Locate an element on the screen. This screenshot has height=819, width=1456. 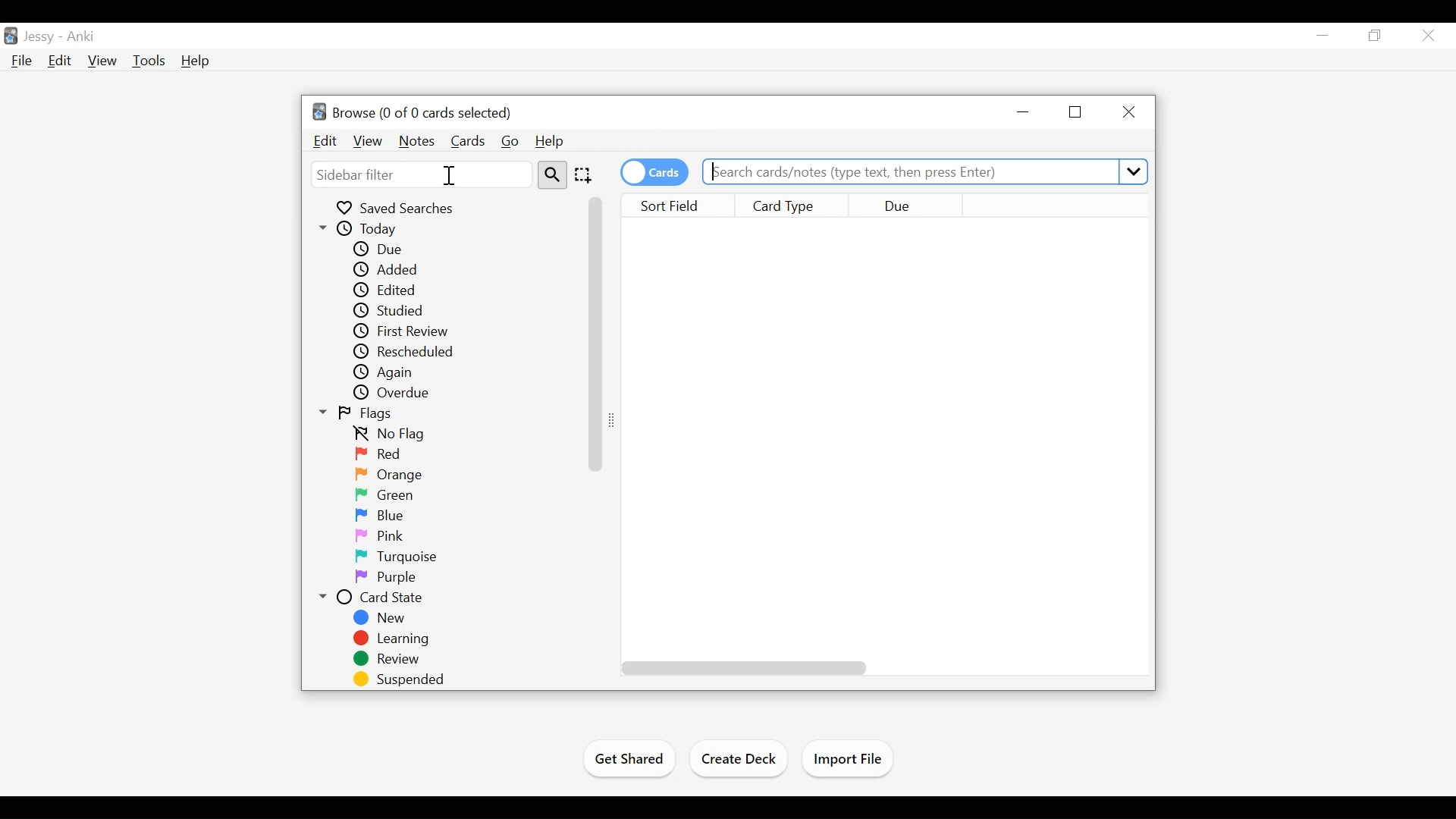
Restore is located at coordinates (1376, 36).